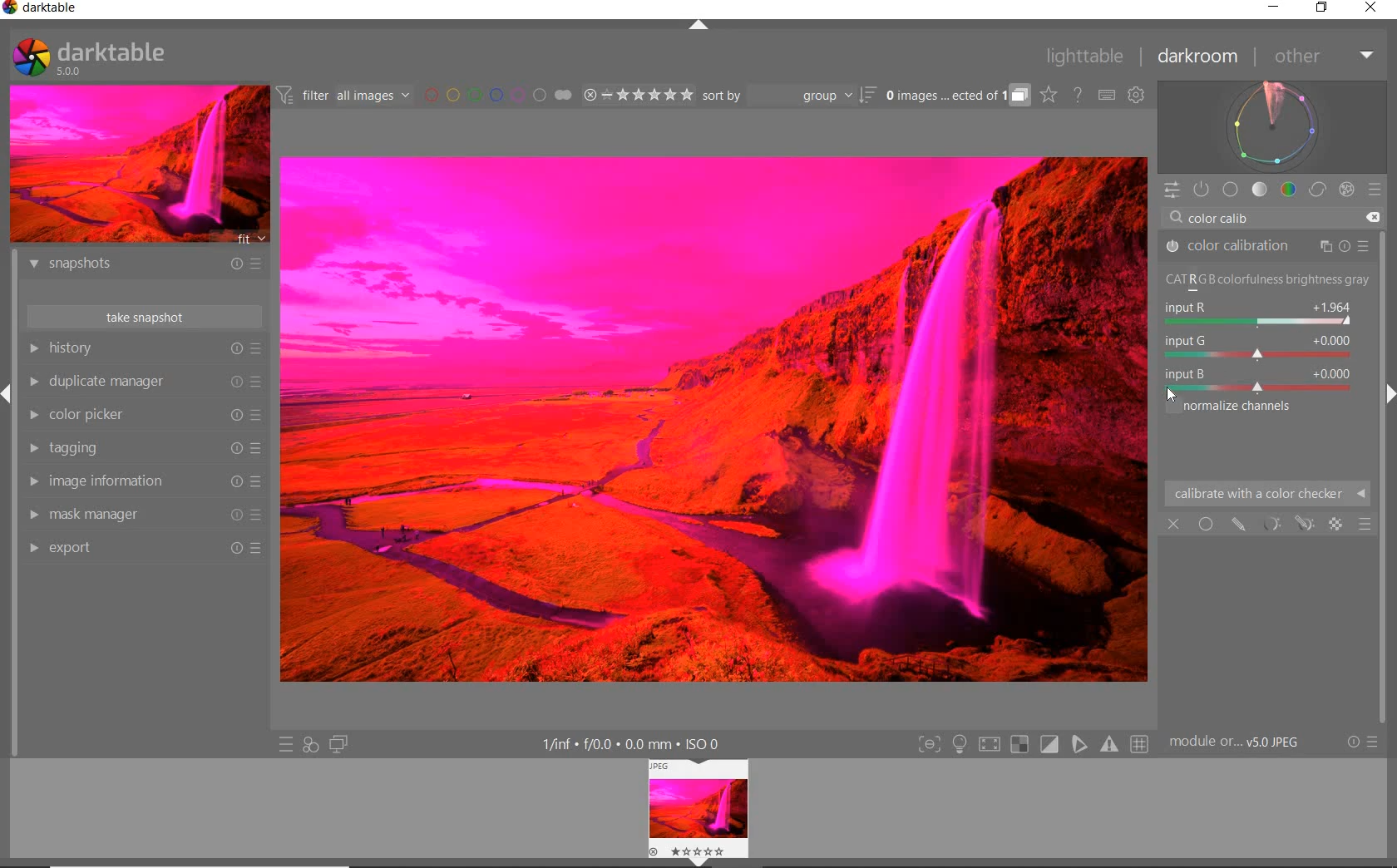 This screenshot has height=868, width=1397. What do you see at coordinates (343, 96) in the screenshot?
I see `FILTER IMAGES BASED ON THEIR MODULE ORDER` at bounding box center [343, 96].